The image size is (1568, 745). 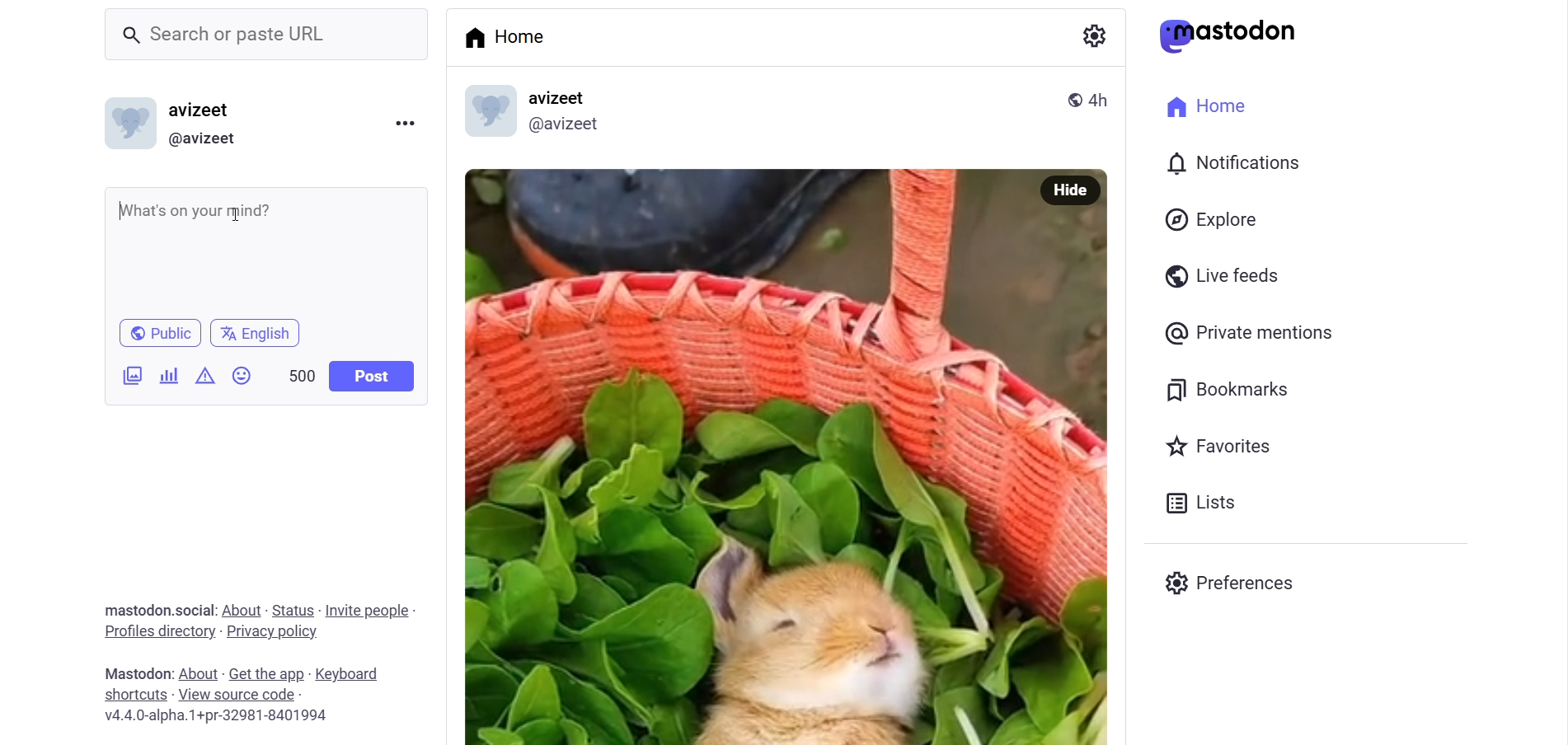 I want to click on Lists, so click(x=1199, y=501).